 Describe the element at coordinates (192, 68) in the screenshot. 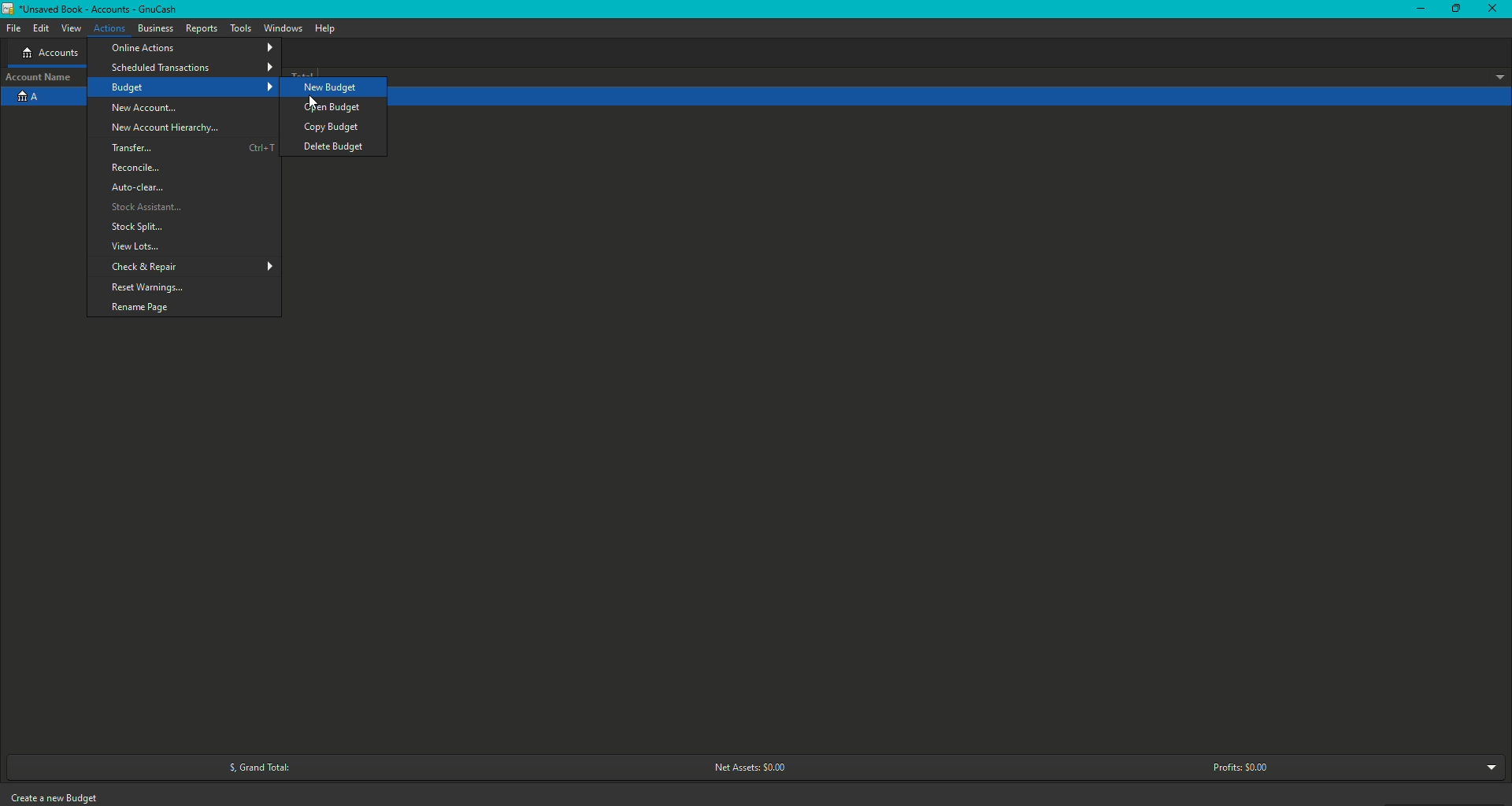

I see `Scheduled Transactions` at that location.